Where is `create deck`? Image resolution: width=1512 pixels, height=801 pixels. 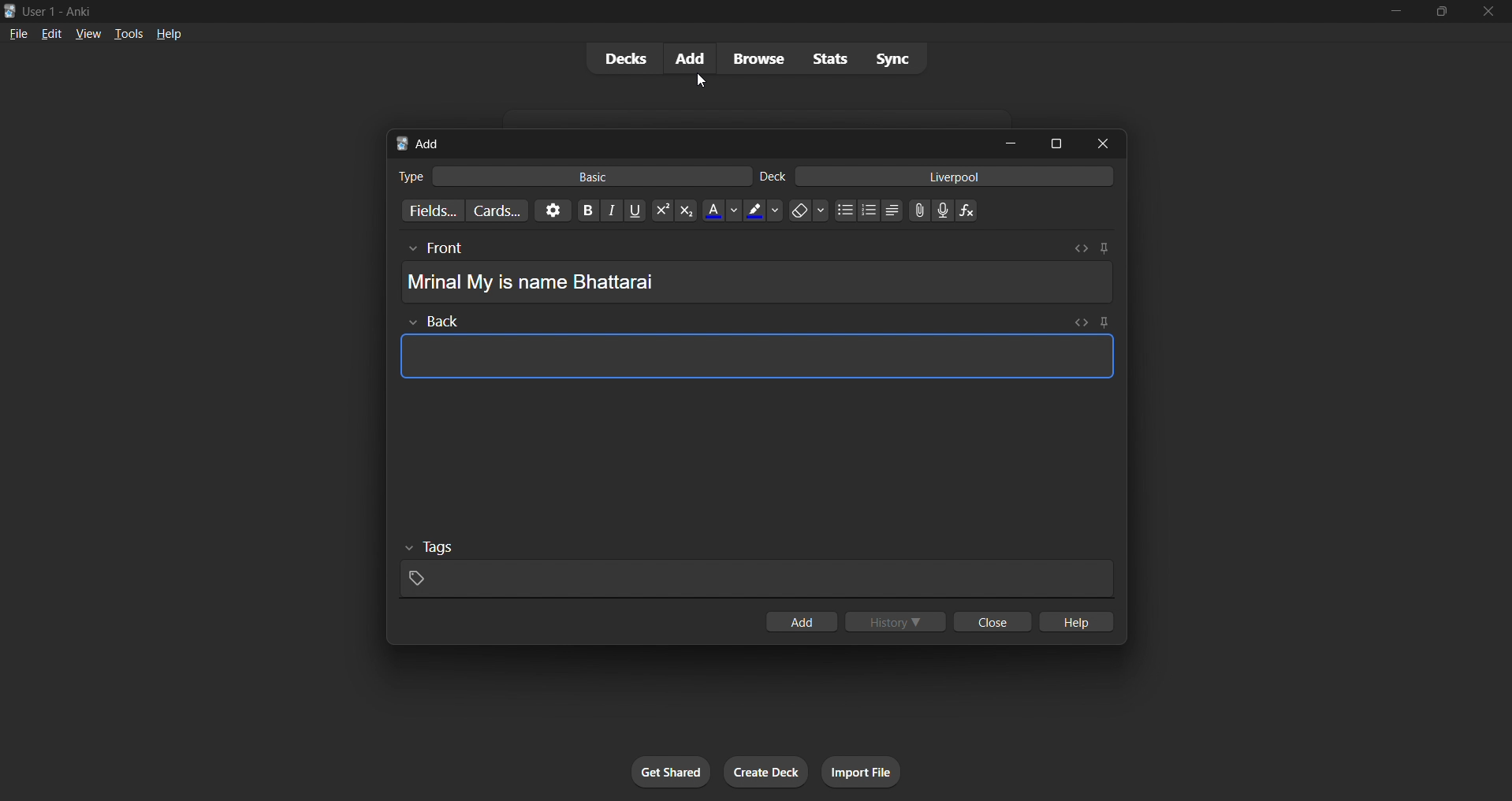
create deck is located at coordinates (765, 771).